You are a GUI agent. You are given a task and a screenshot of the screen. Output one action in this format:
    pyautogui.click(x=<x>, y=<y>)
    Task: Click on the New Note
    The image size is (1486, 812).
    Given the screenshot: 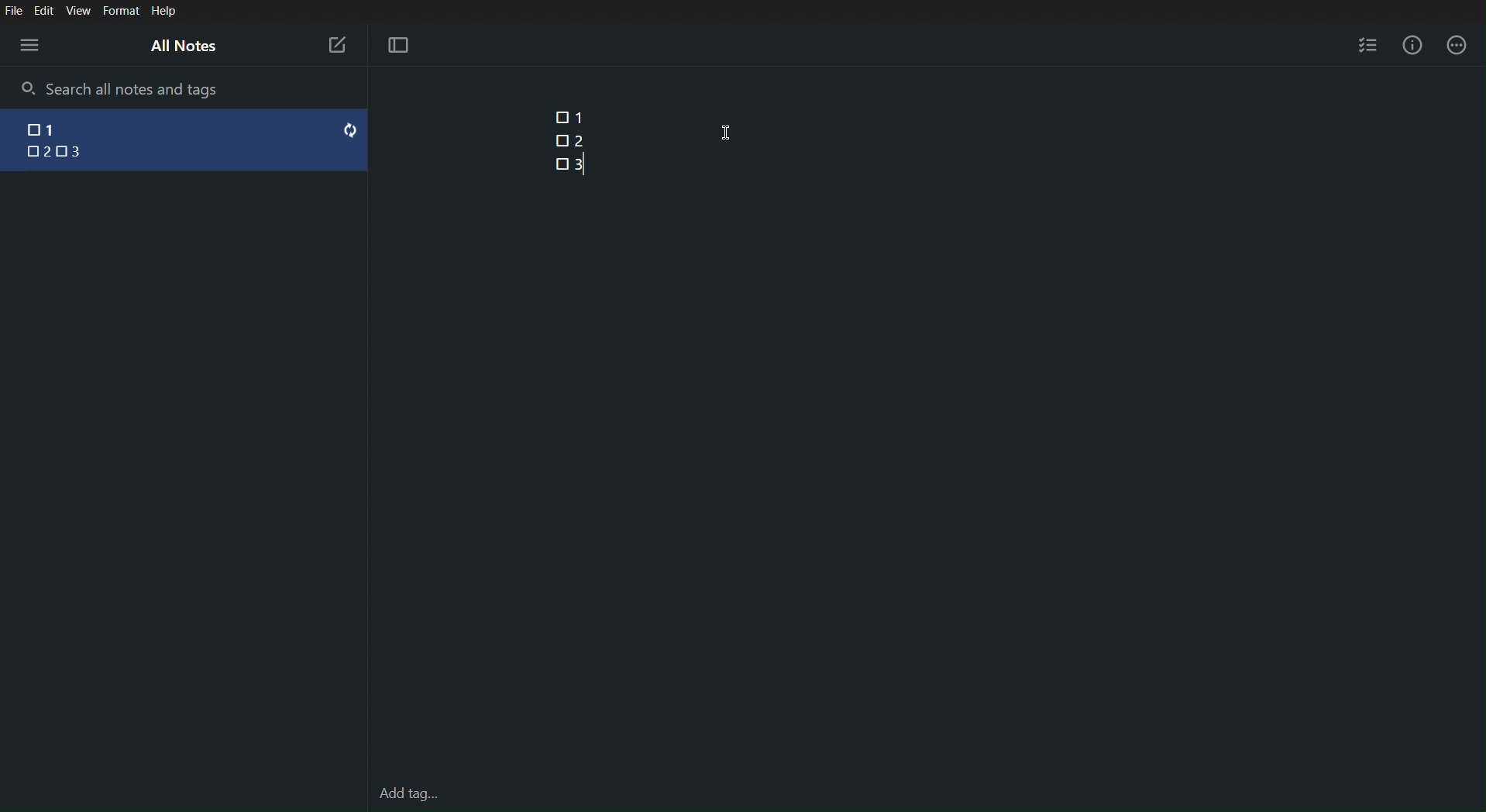 What is the action you would take?
    pyautogui.click(x=336, y=45)
    